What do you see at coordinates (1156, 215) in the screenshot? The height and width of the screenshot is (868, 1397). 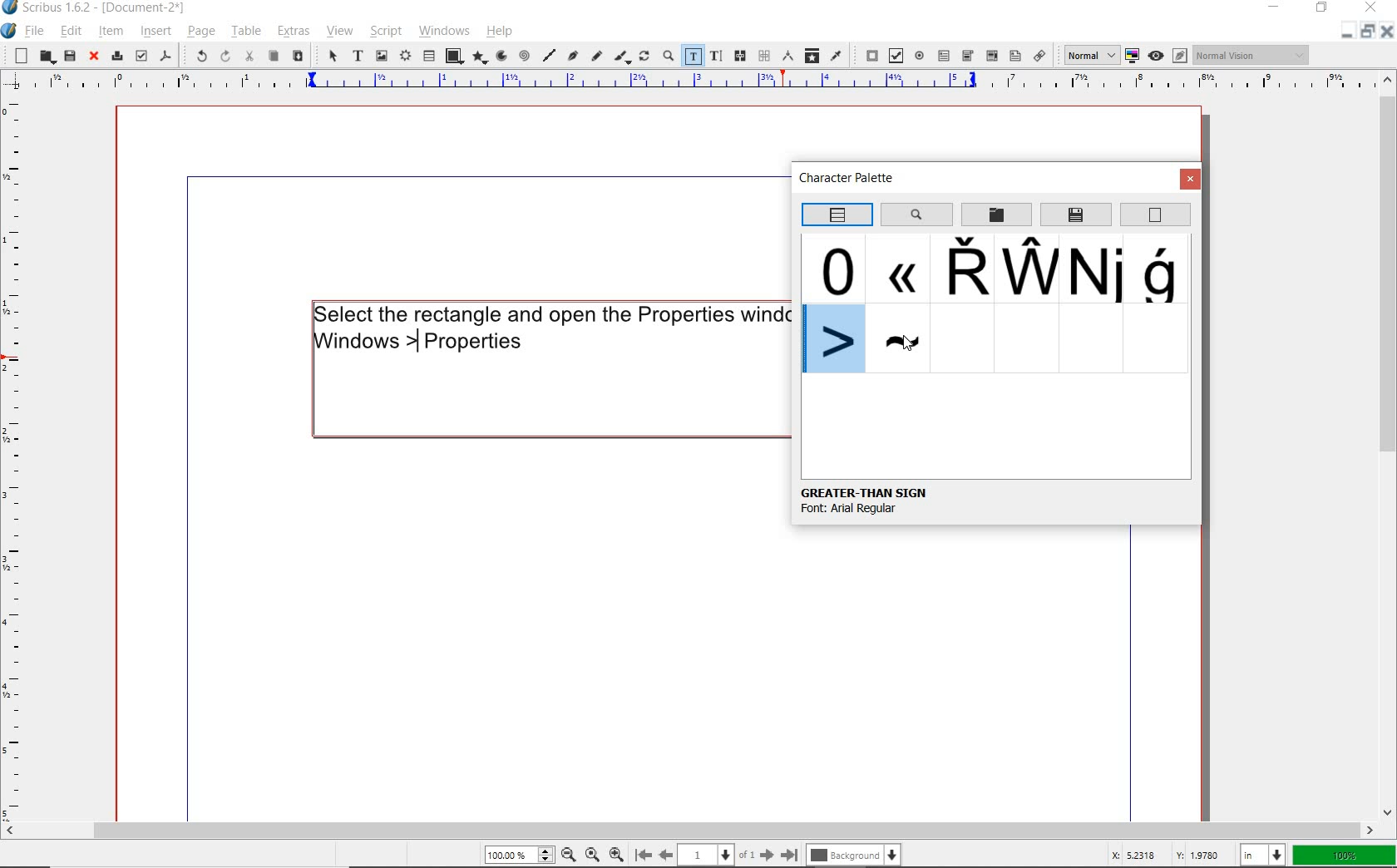 I see `empty the character palette` at bounding box center [1156, 215].